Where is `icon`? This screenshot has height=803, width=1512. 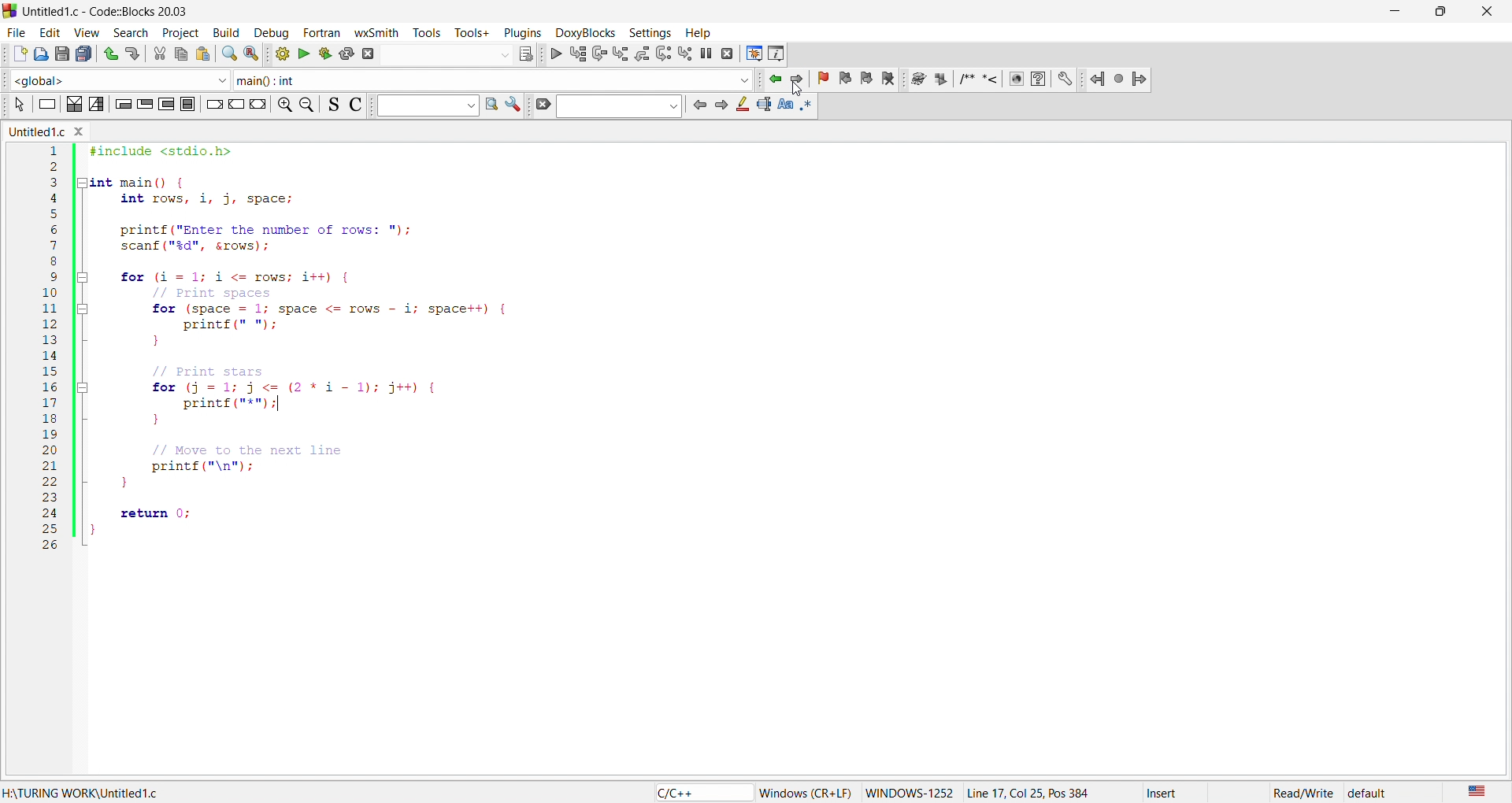 icon is located at coordinates (234, 105).